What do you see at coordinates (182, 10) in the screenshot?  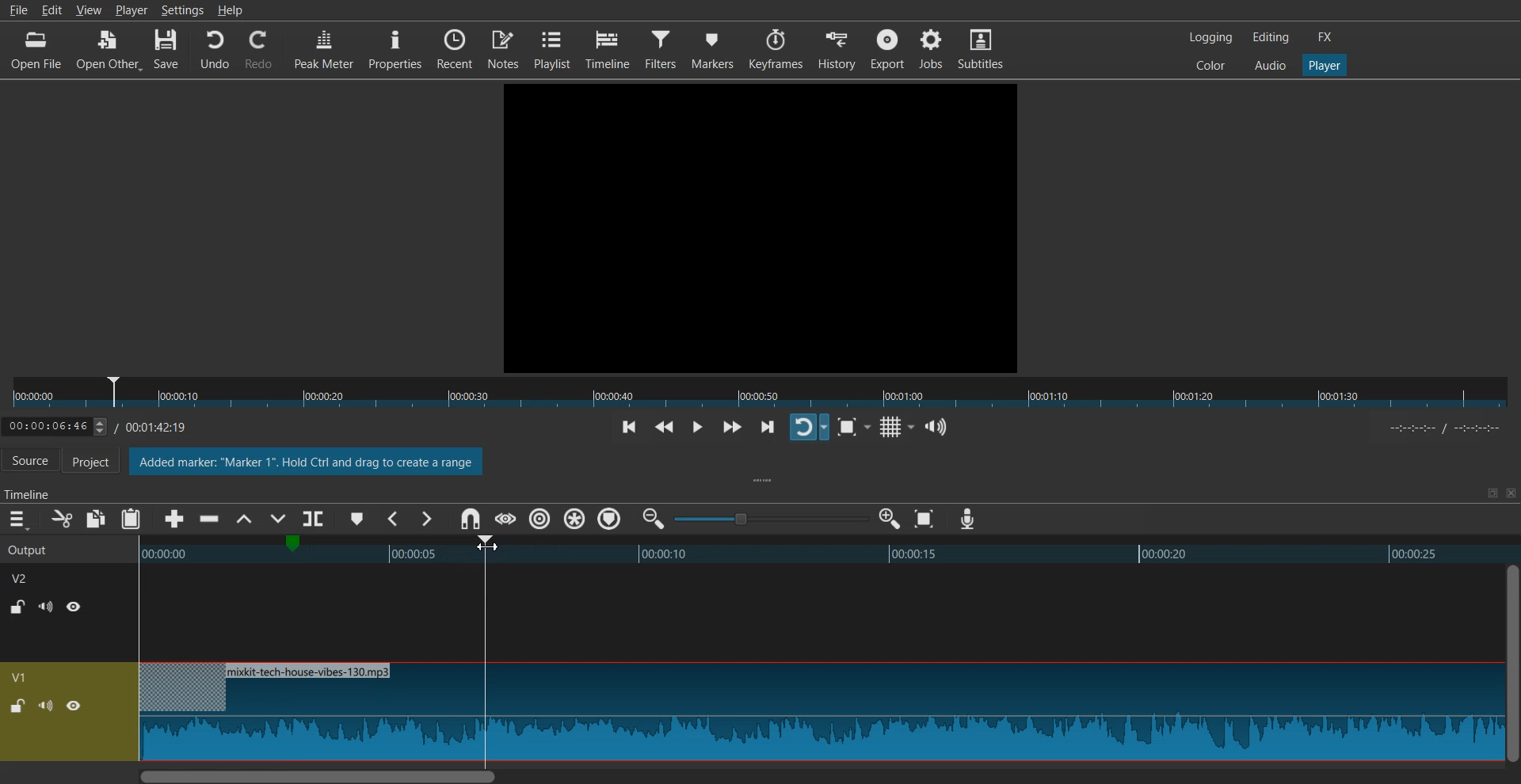 I see `Settings` at bounding box center [182, 10].